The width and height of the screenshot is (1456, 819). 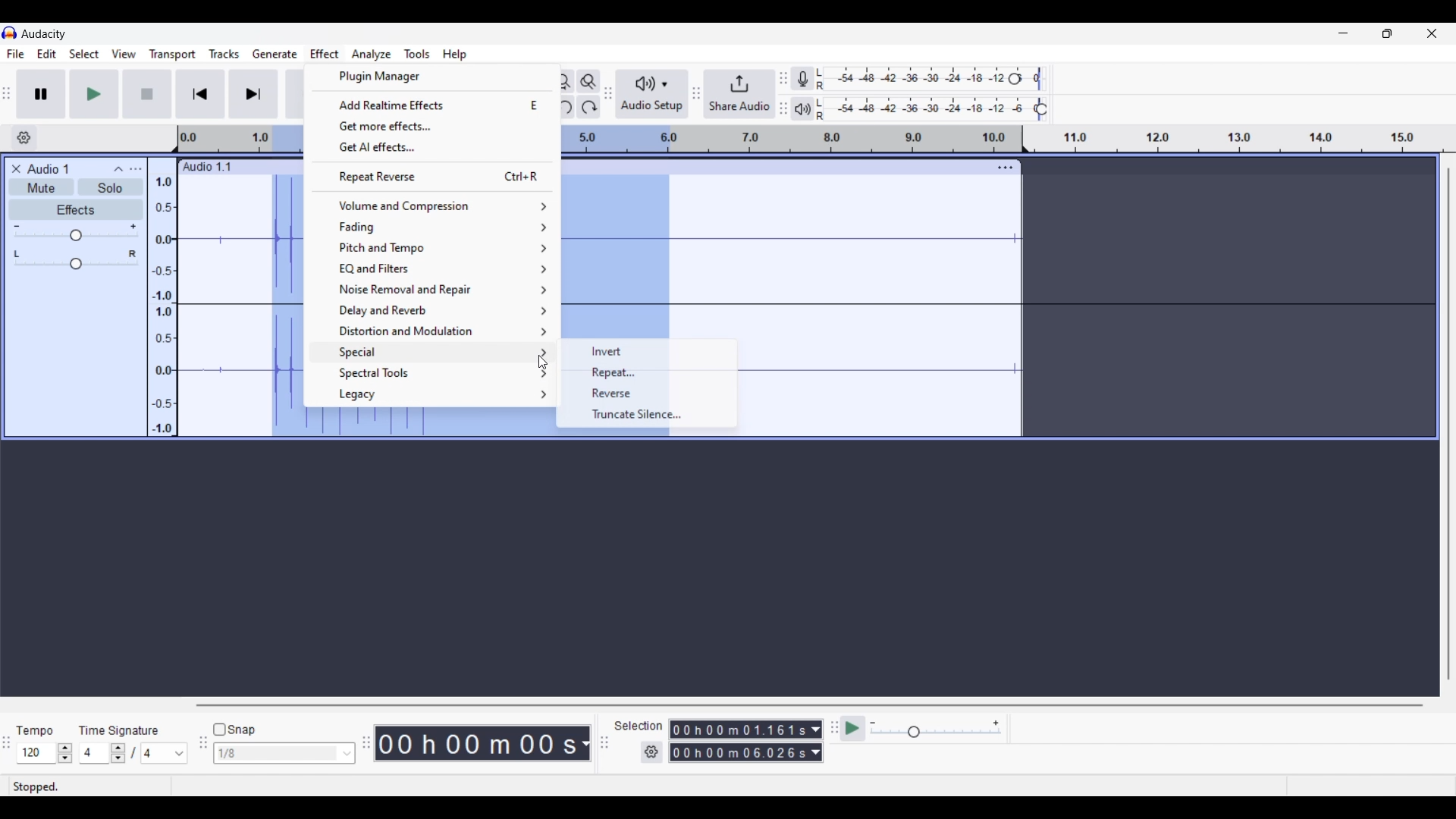 What do you see at coordinates (162, 297) in the screenshot?
I see `Scale to measure audio pitch` at bounding box center [162, 297].